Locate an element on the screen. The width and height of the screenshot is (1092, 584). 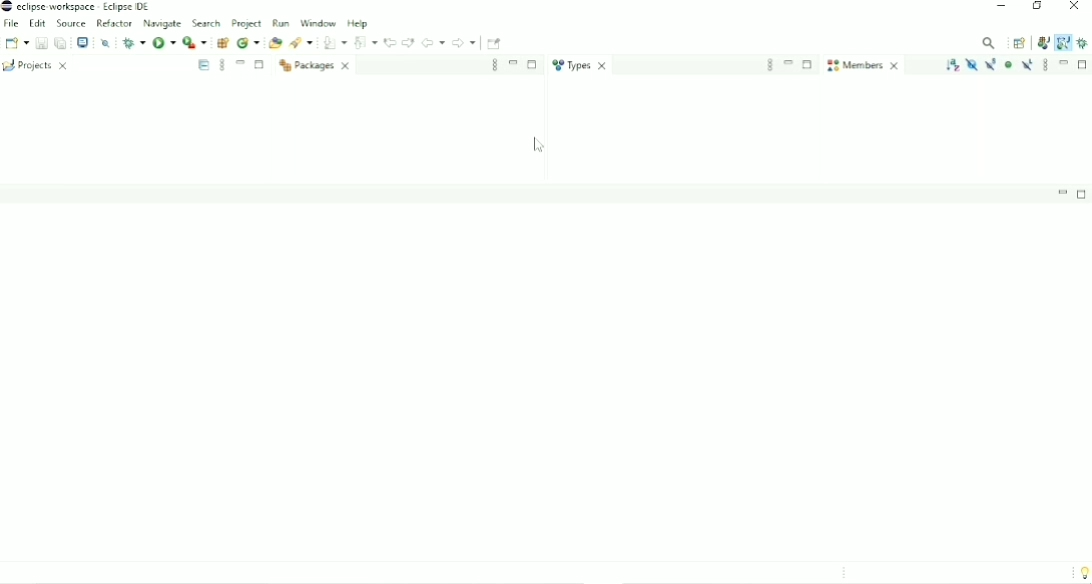
Minimize is located at coordinates (514, 63).